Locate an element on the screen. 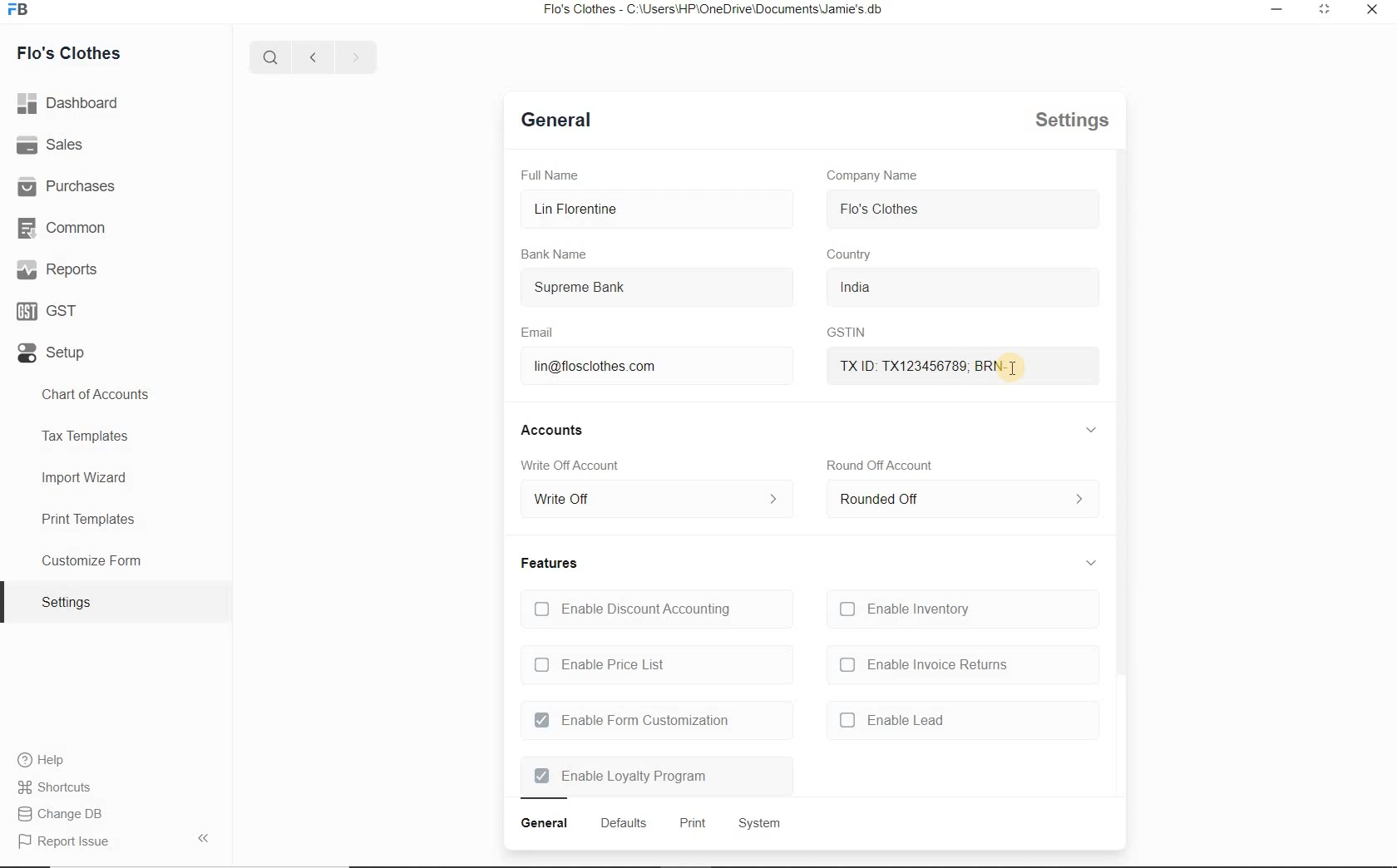 The width and height of the screenshot is (1397, 868). dashboard is located at coordinates (70, 103).